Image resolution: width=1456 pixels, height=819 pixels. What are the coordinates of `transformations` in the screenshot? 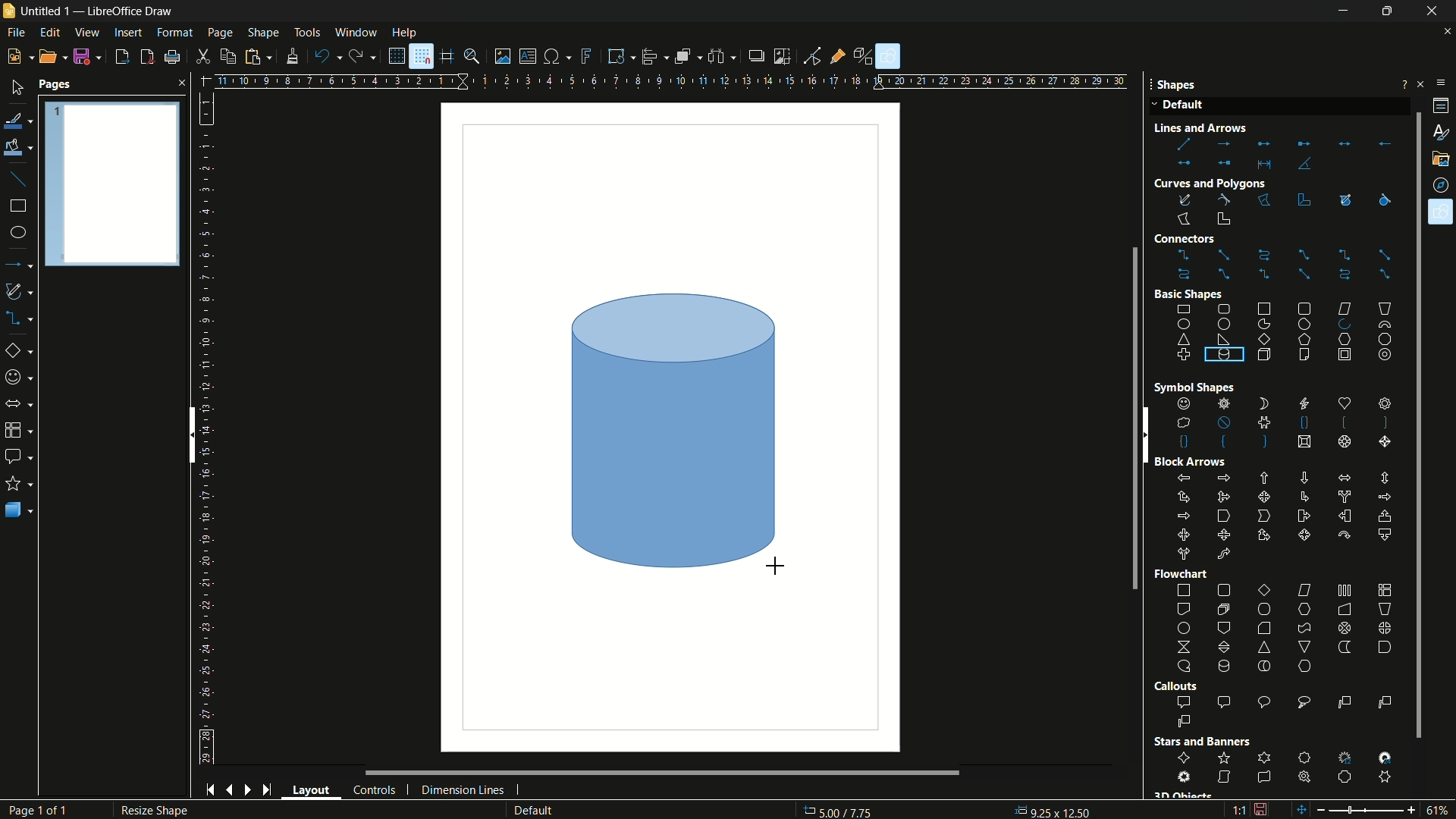 It's located at (620, 55).